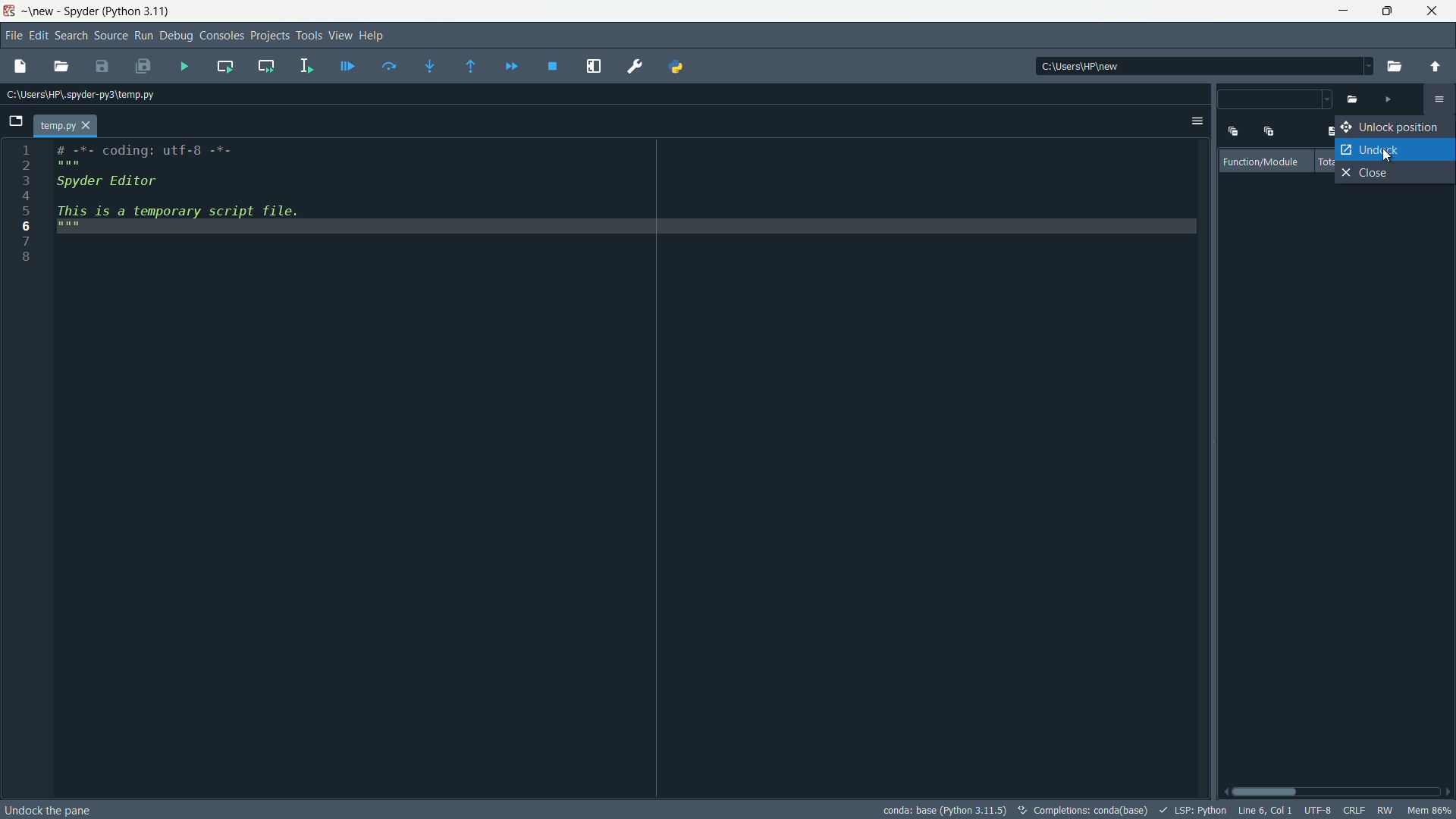  What do you see at coordinates (1078, 66) in the screenshot?
I see `directory: c:\users\hp\new` at bounding box center [1078, 66].